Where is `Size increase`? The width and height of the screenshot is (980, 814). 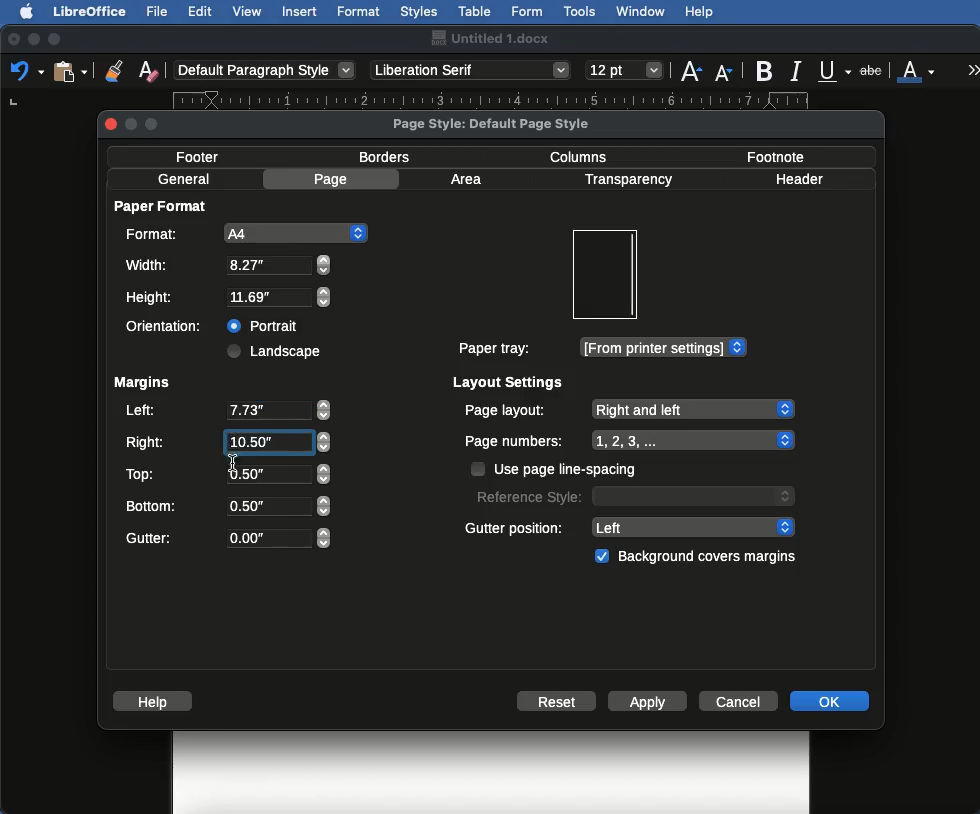
Size increase is located at coordinates (690, 69).